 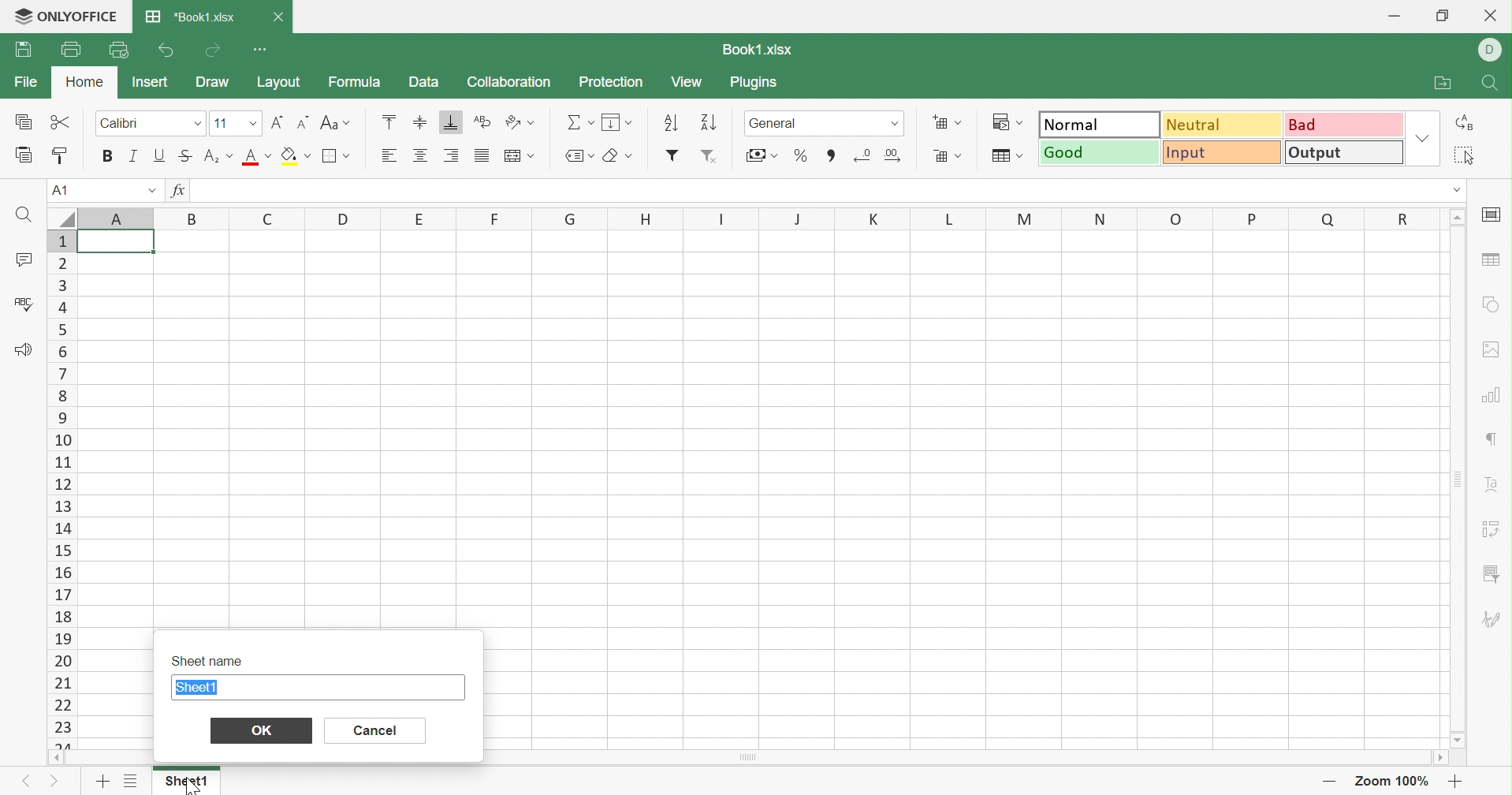 What do you see at coordinates (519, 155) in the screenshot?
I see `Merge and center` at bounding box center [519, 155].